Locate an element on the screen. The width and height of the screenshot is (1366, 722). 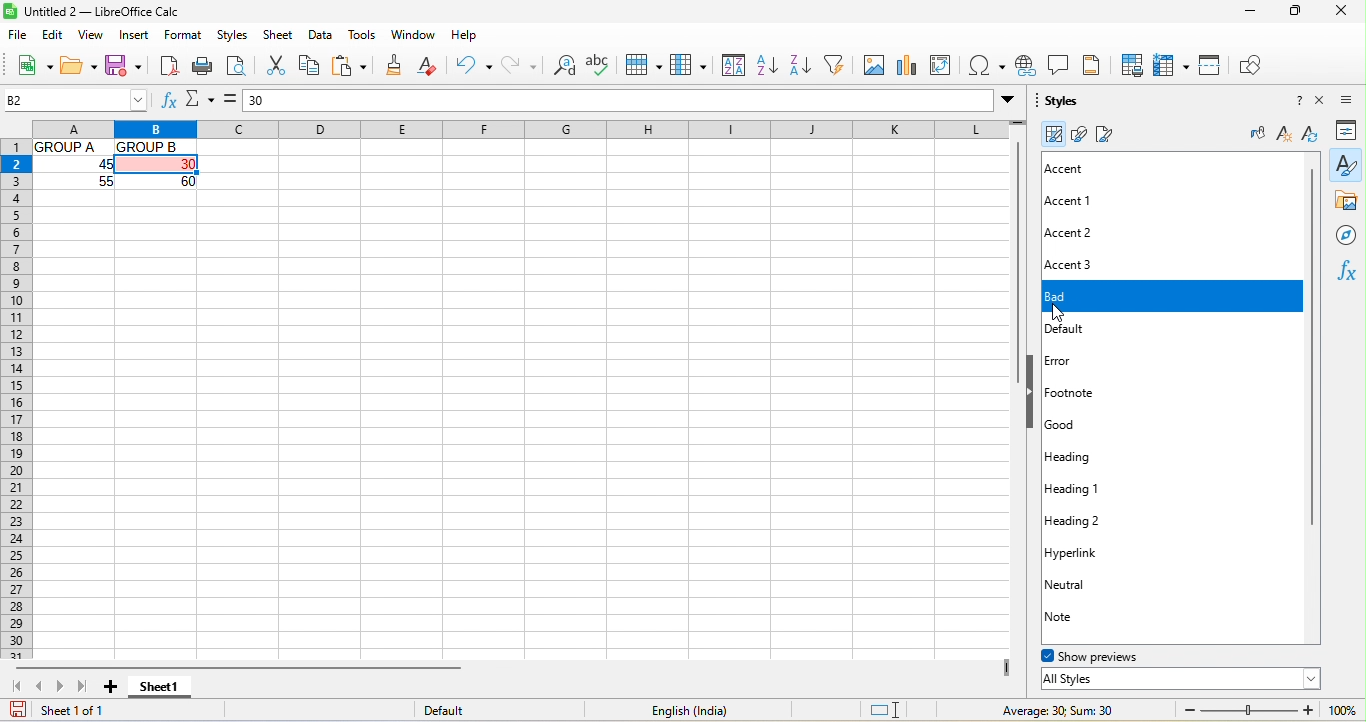
select function is located at coordinates (201, 102).